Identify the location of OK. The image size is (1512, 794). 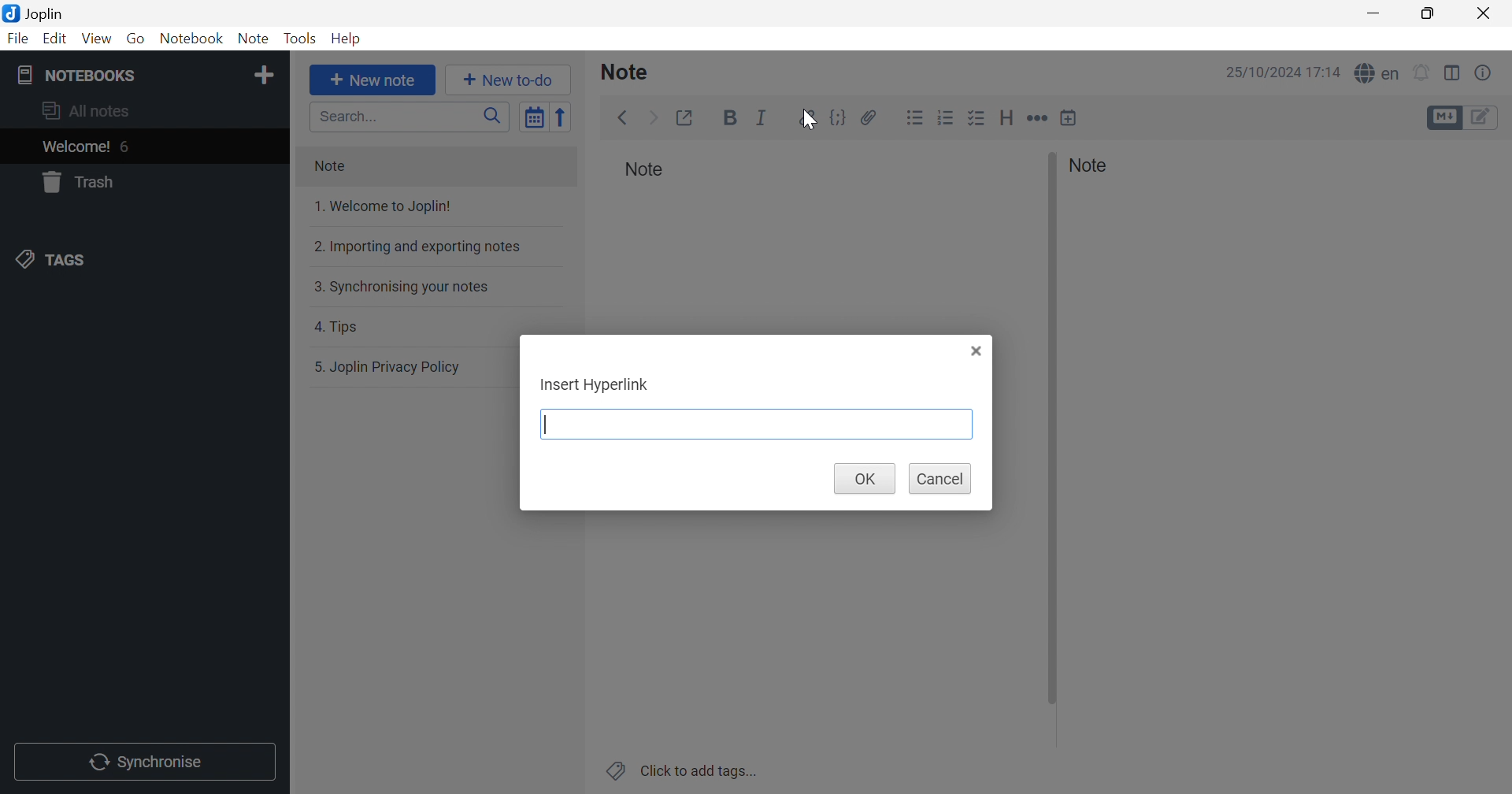
(864, 479).